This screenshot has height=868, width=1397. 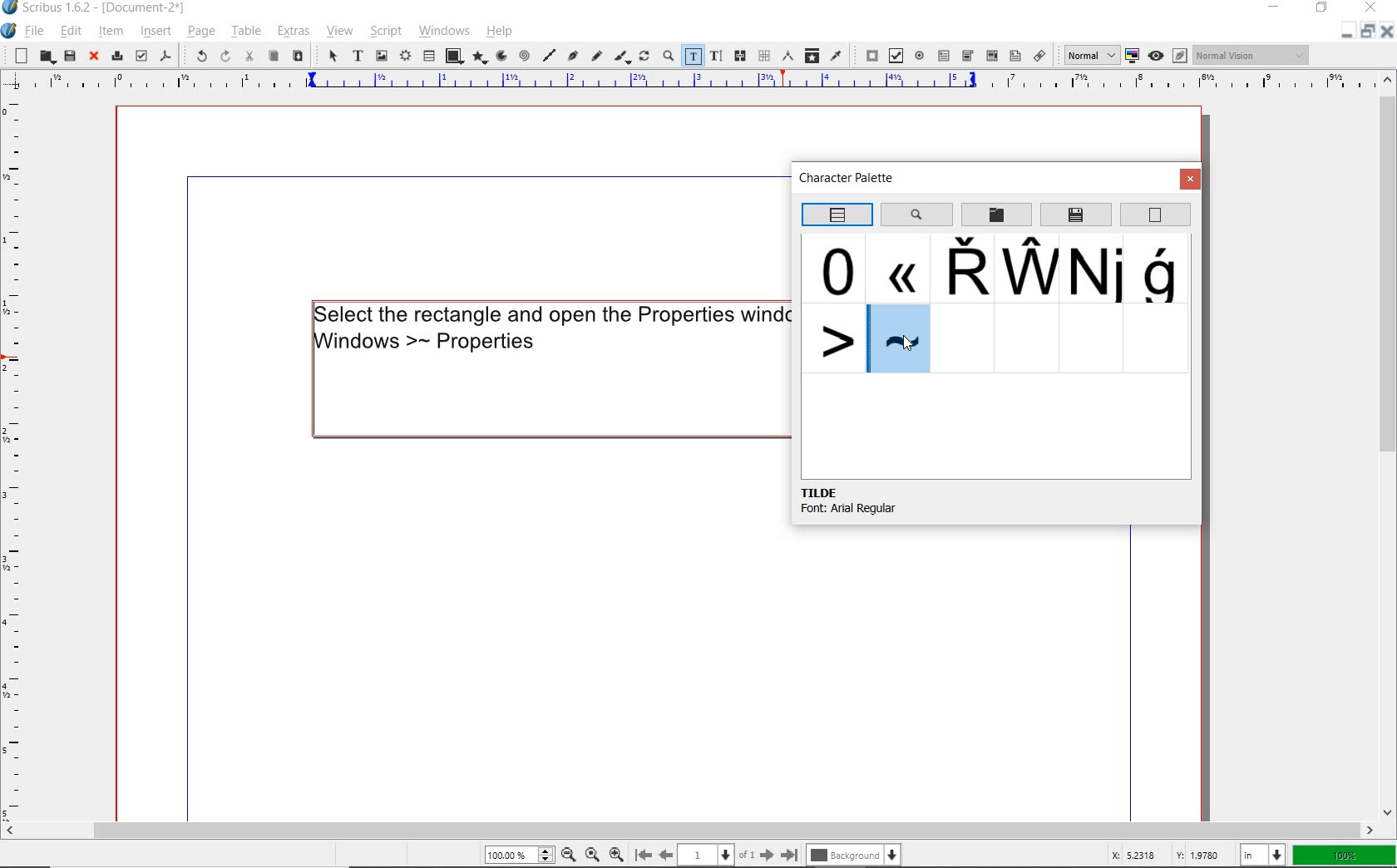 I want to click on pdf list box, so click(x=992, y=57).